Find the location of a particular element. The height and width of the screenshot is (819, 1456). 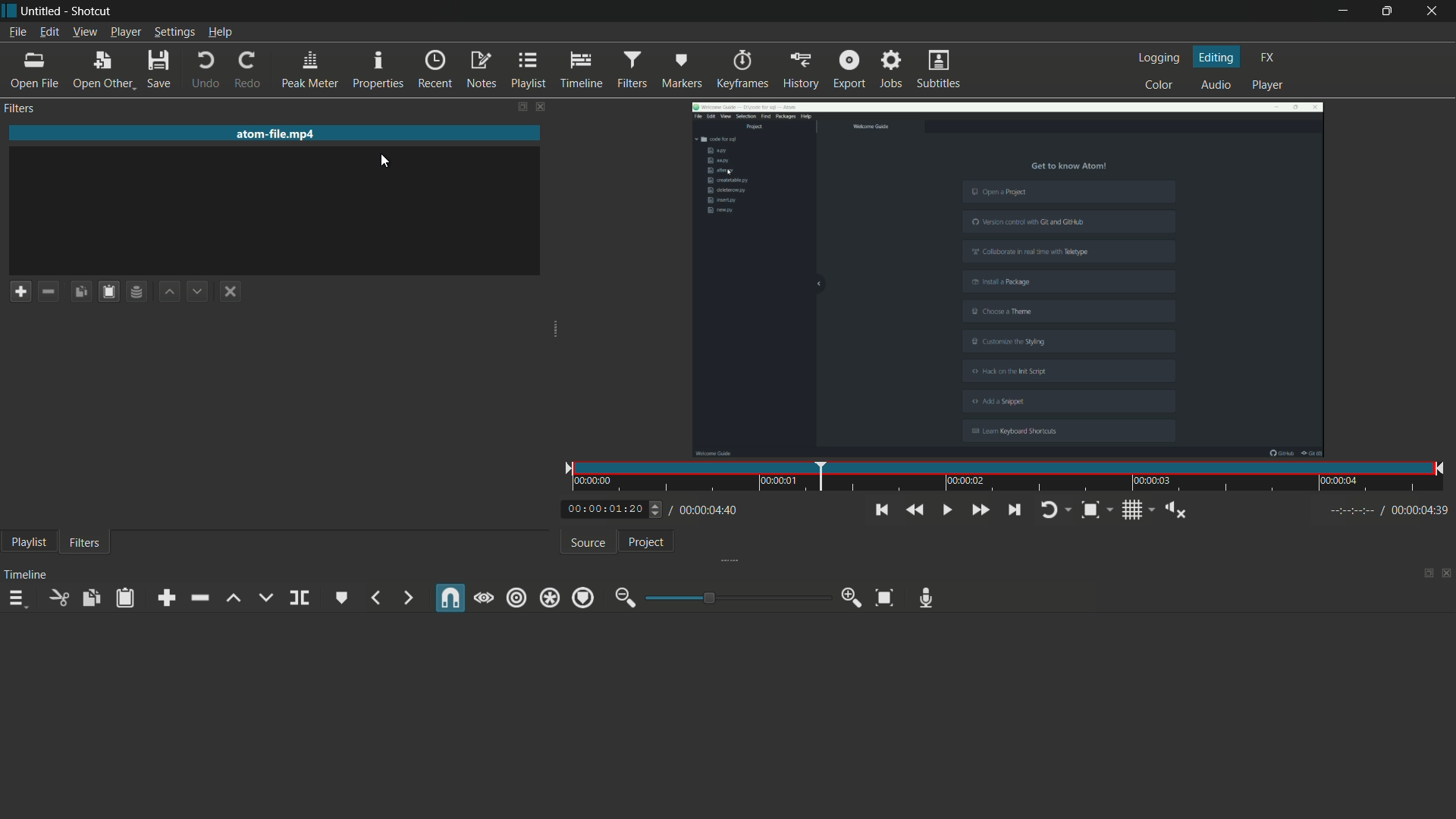

fx is located at coordinates (1269, 57).